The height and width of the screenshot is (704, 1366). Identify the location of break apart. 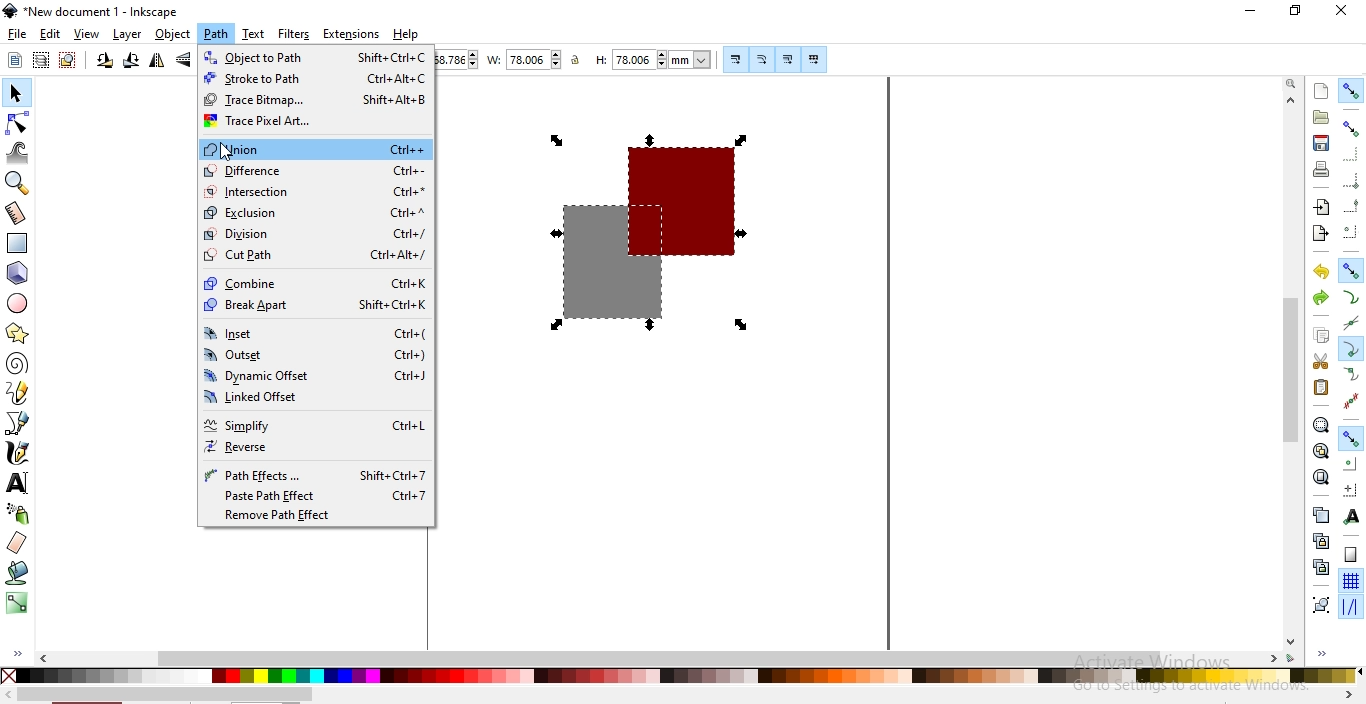
(314, 305).